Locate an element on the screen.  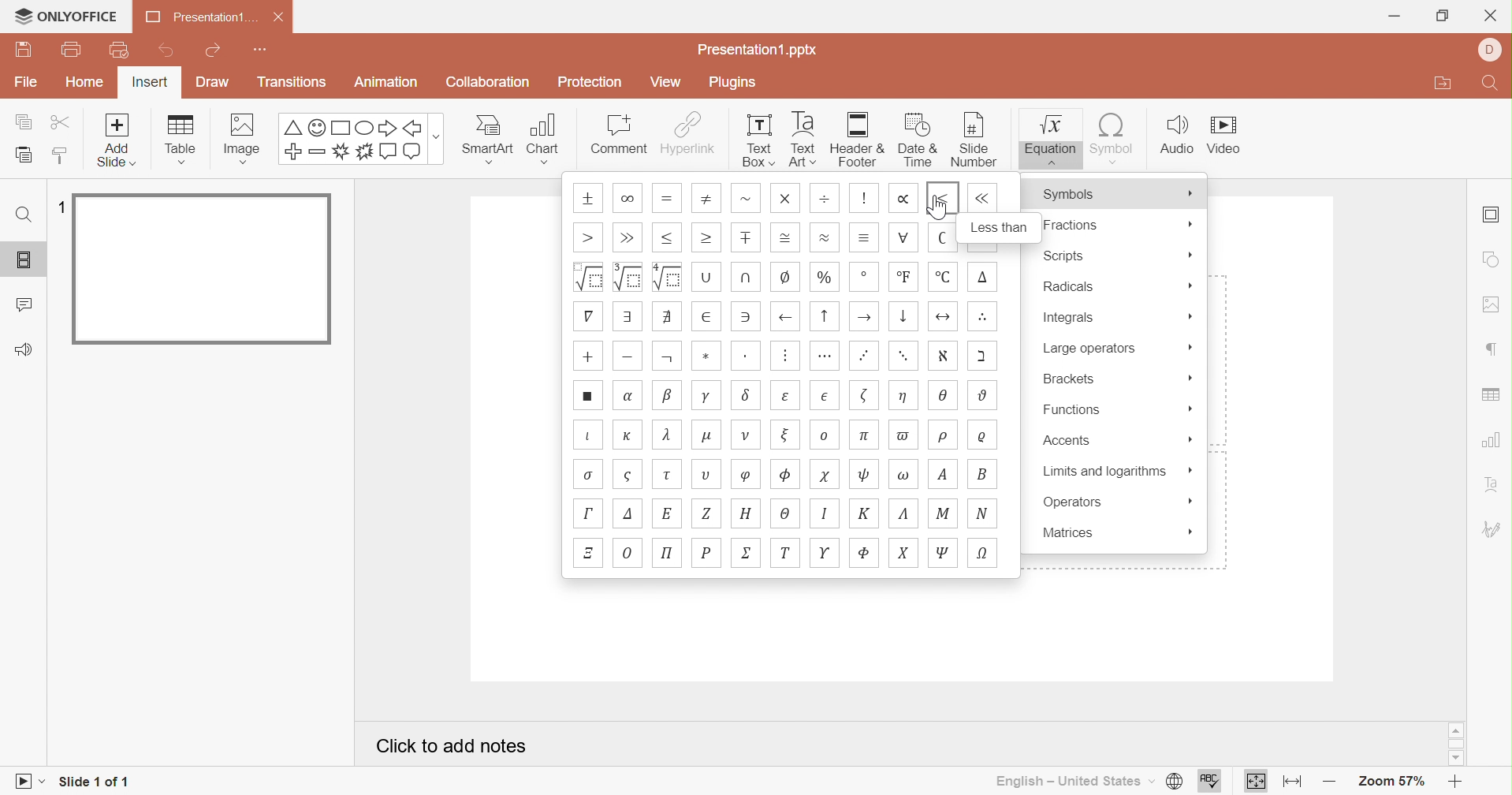
View is located at coordinates (667, 82).